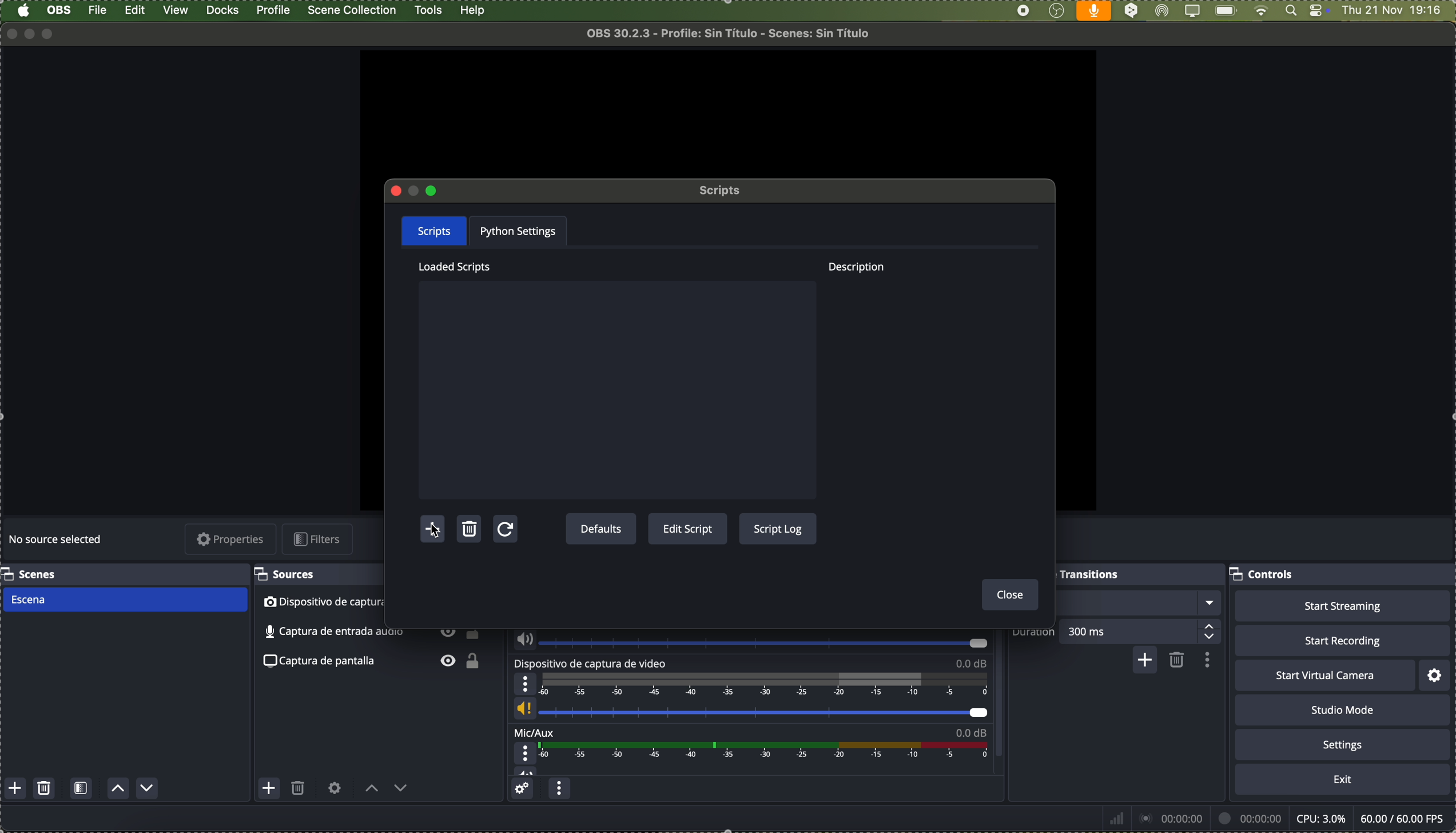 The image size is (1456, 833). I want to click on move scene down, so click(148, 788).